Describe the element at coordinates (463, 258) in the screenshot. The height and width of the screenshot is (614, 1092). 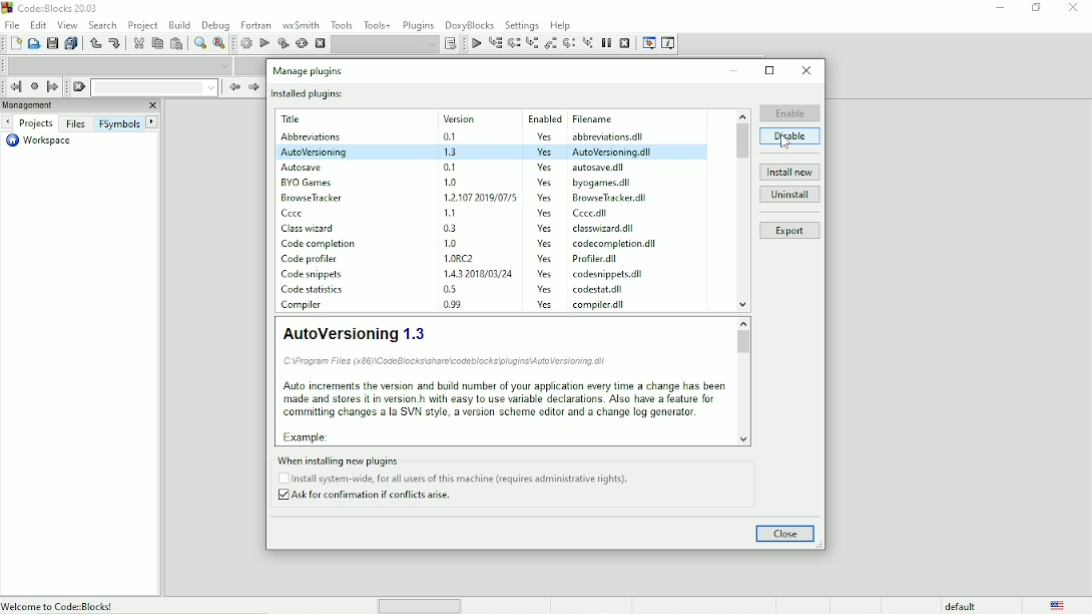
I see `1.ORC2` at that location.